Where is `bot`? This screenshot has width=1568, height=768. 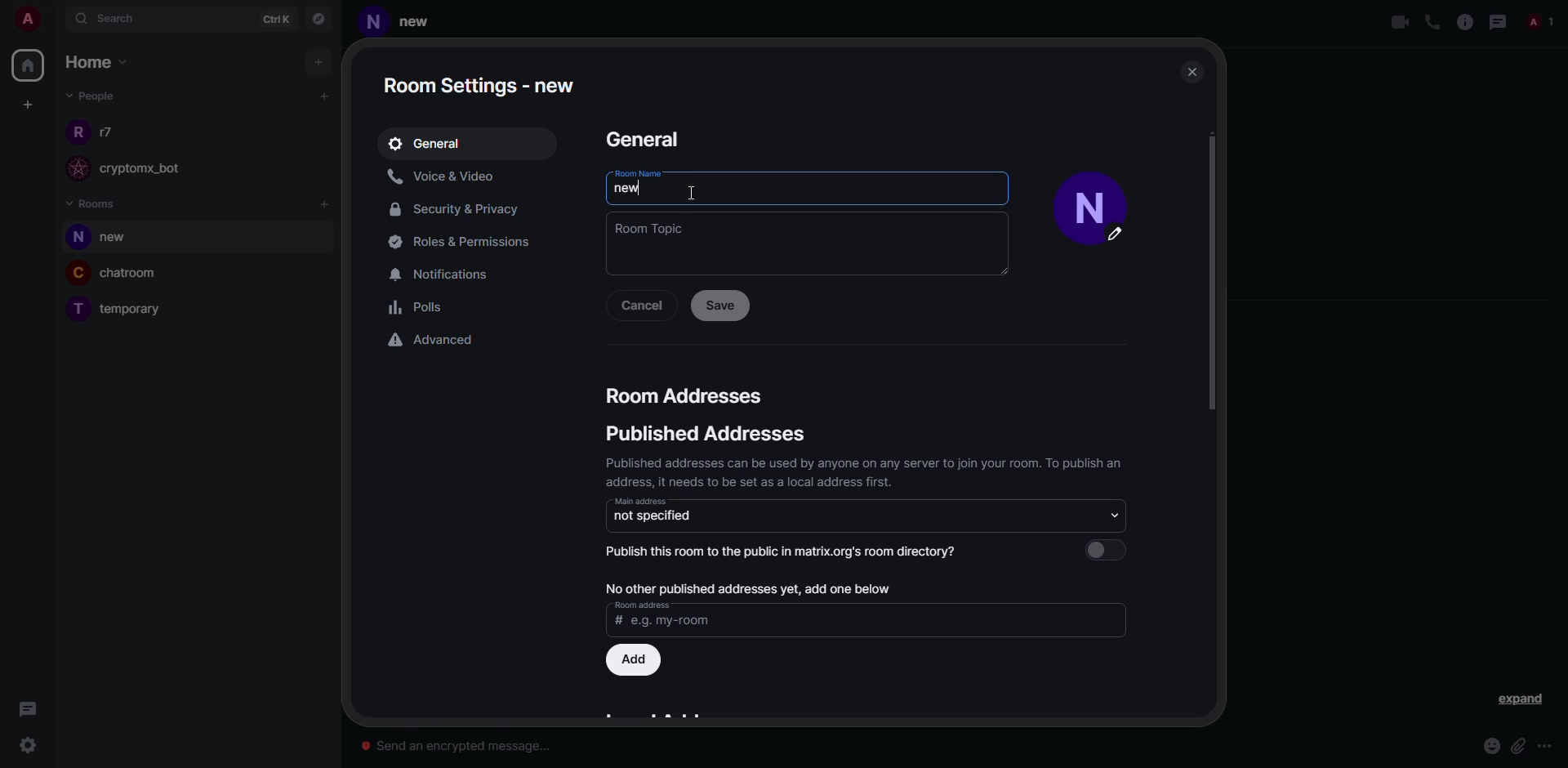 bot is located at coordinates (156, 170).